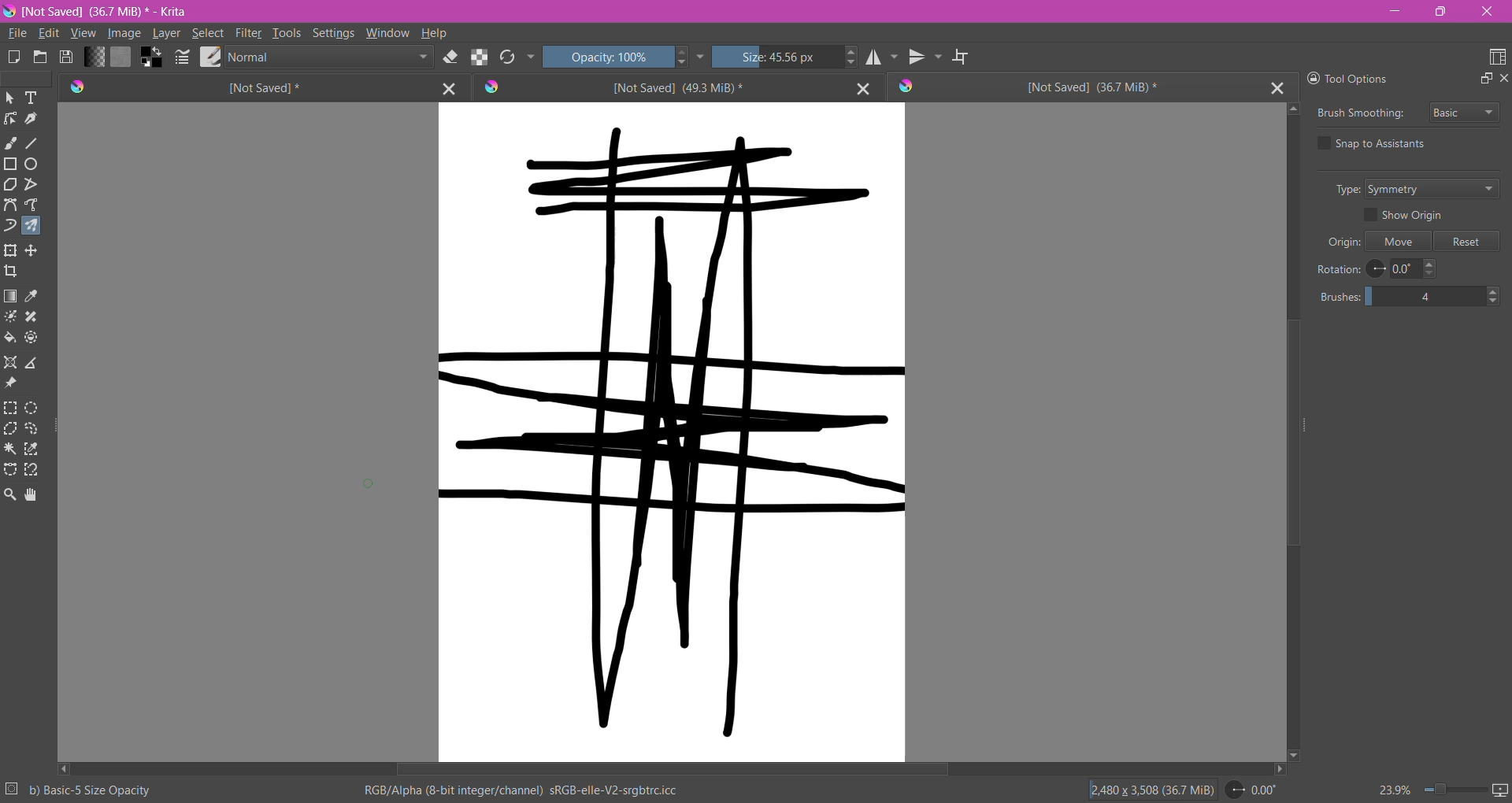 The width and height of the screenshot is (1512, 803). What do you see at coordinates (1309, 78) in the screenshot?
I see `Lock Docker` at bounding box center [1309, 78].